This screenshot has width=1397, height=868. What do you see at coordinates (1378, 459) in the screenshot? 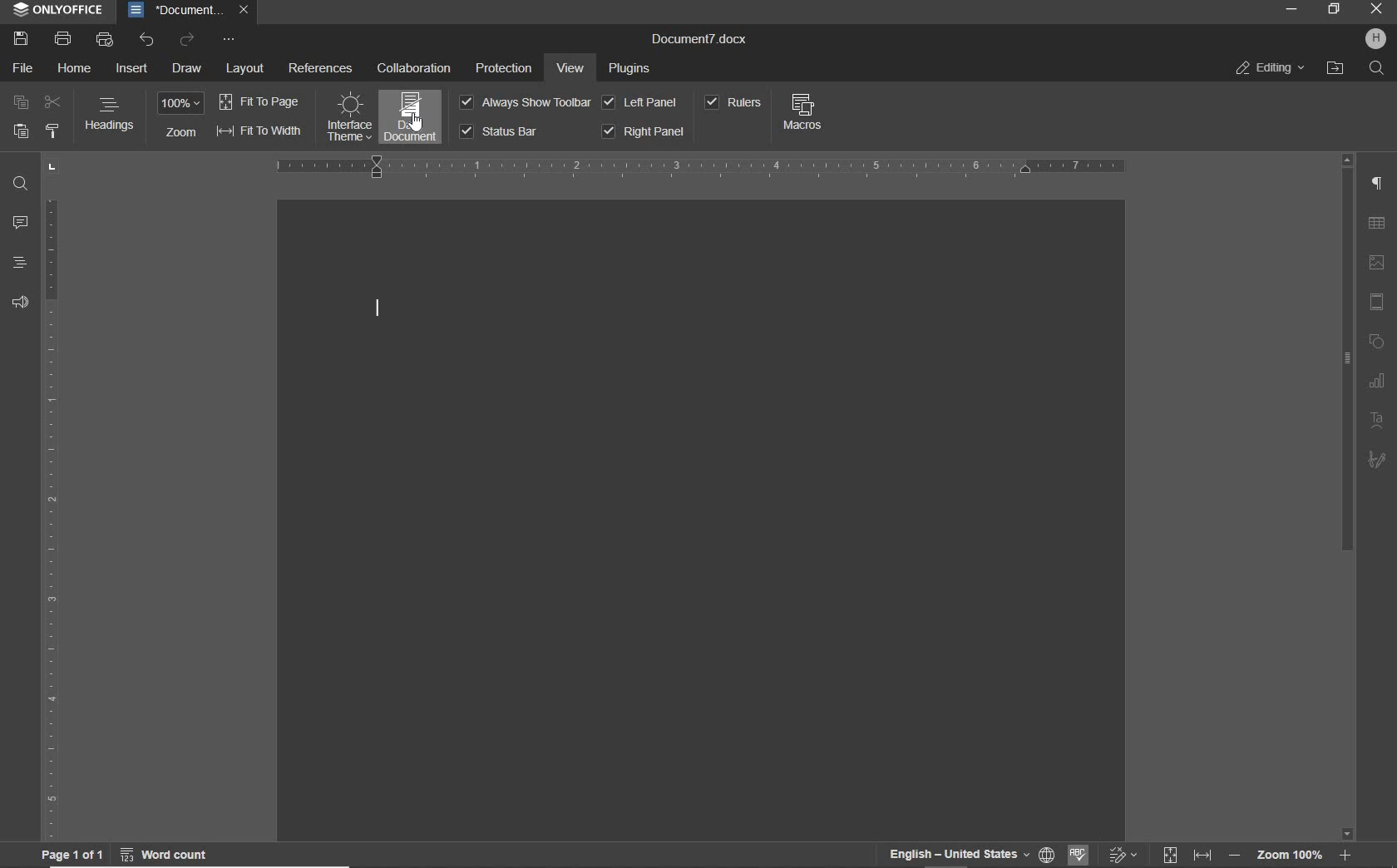
I see `SIGNATURE` at bounding box center [1378, 459].